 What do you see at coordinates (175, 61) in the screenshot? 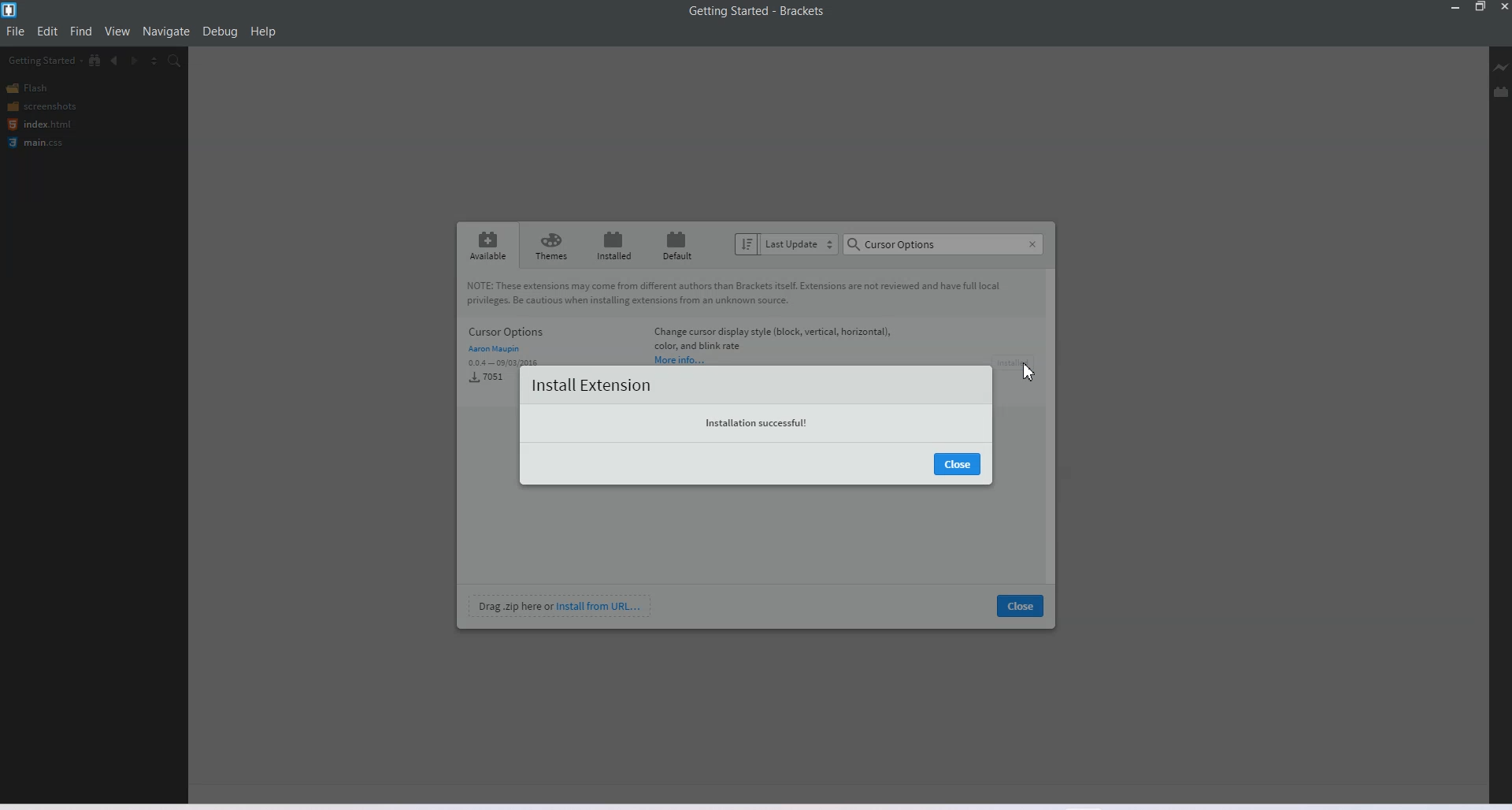
I see `Find in Files` at bounding box center [175, 61].